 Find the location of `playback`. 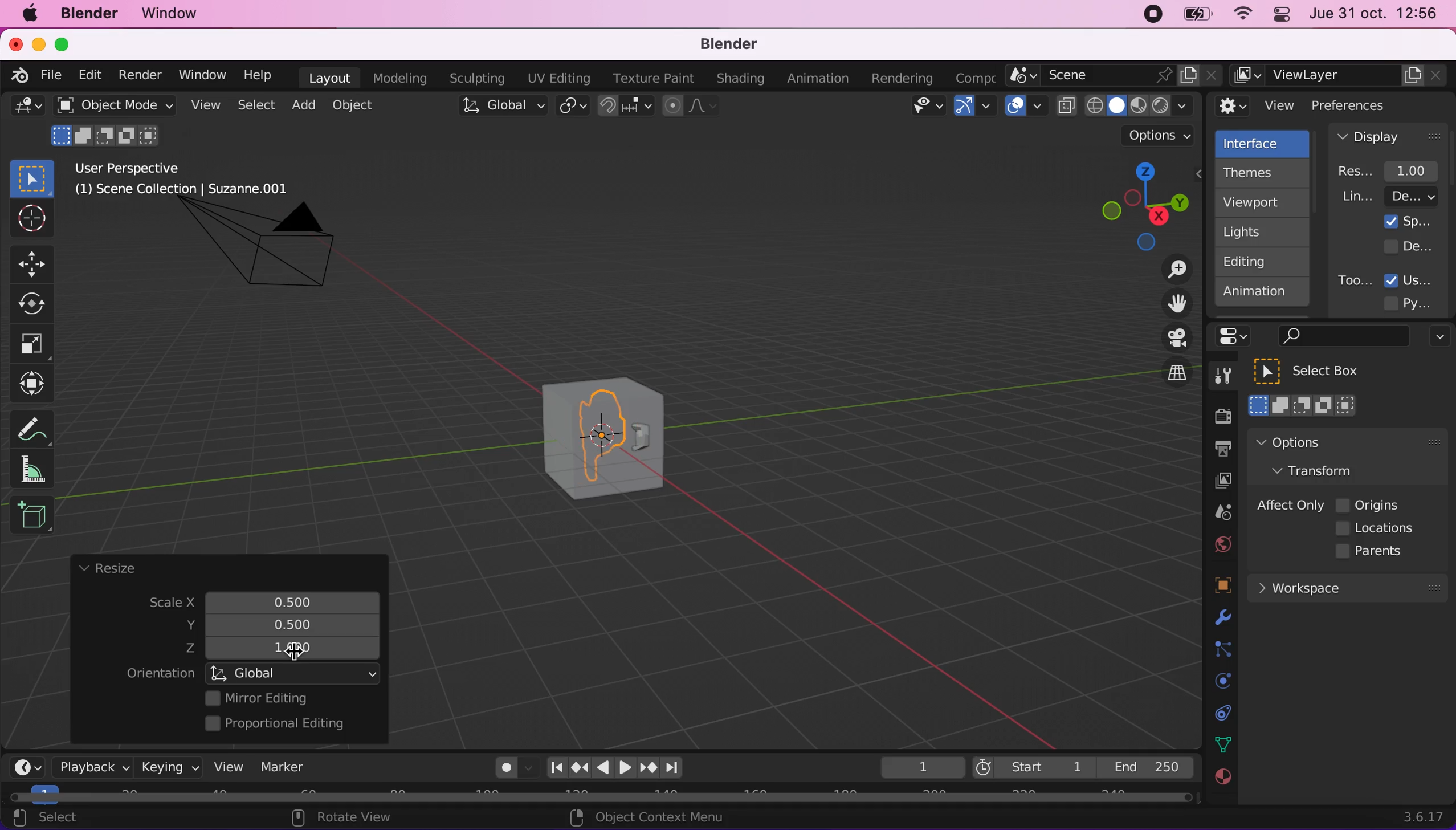

playback is located at coordinates (89, 766).